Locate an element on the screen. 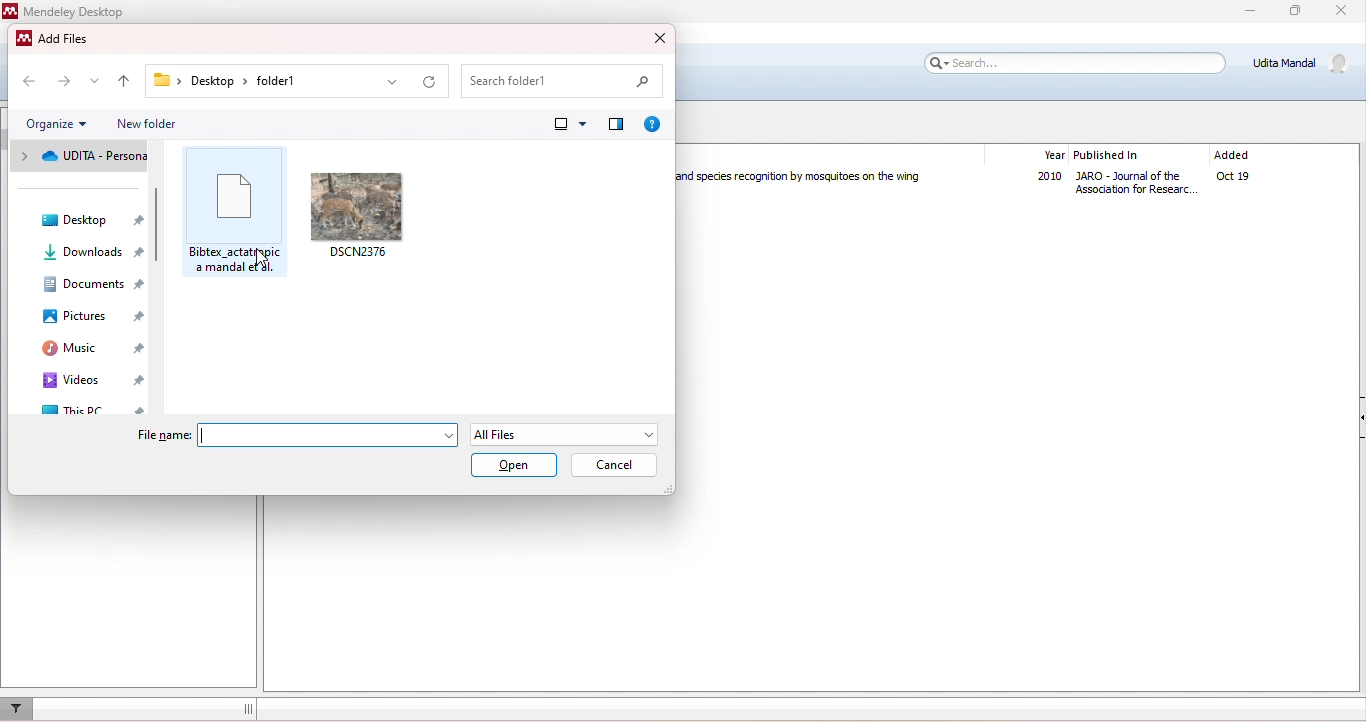  Input box for file name is located at coordinates (319, 435).